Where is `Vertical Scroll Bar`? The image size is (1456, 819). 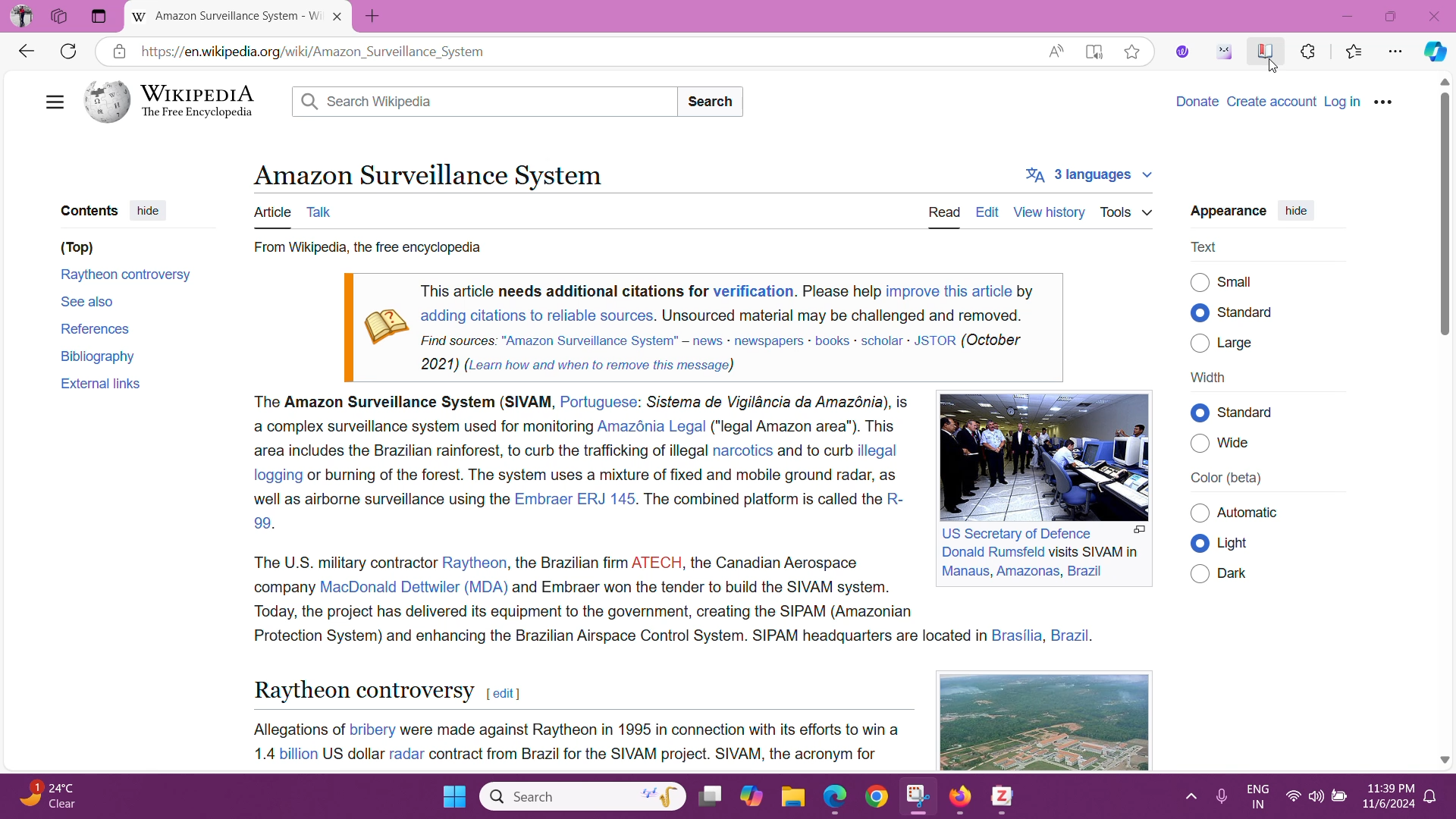
Vertical Scroll Bar is located at coordinates (1443, 421).